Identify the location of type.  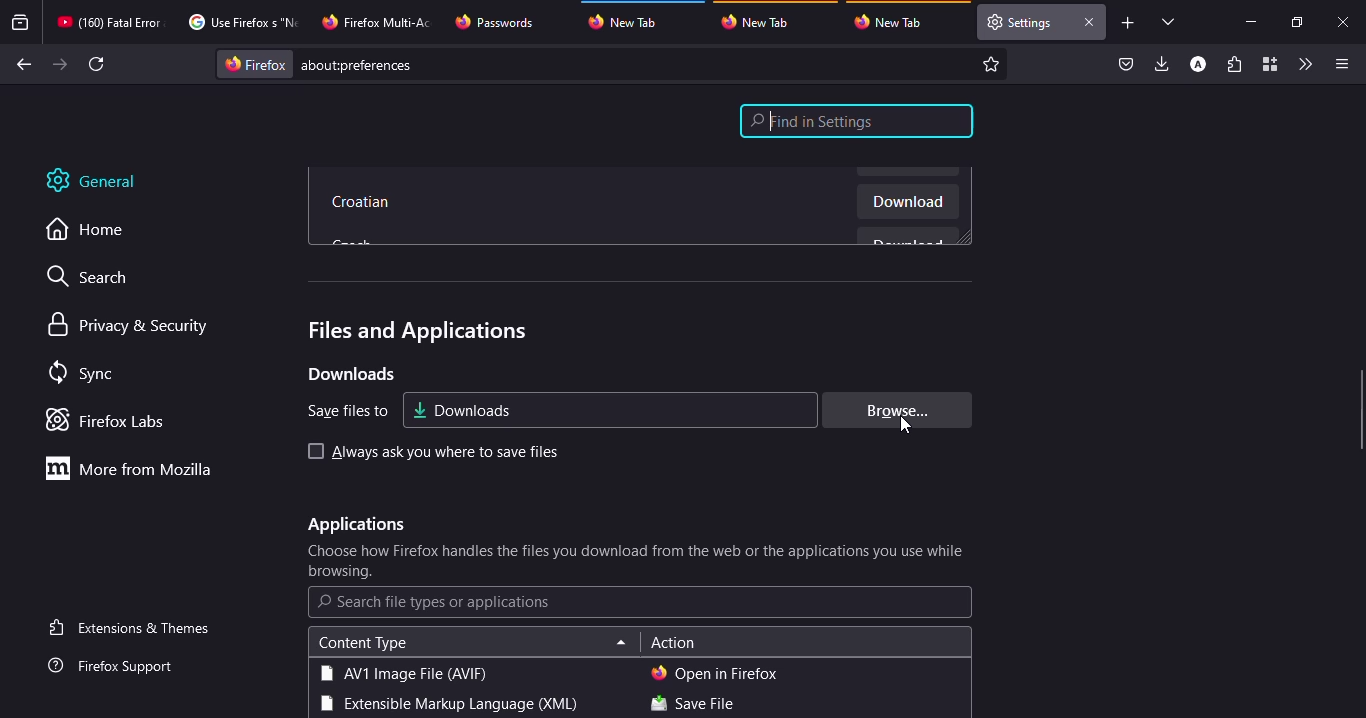
(446, 705).